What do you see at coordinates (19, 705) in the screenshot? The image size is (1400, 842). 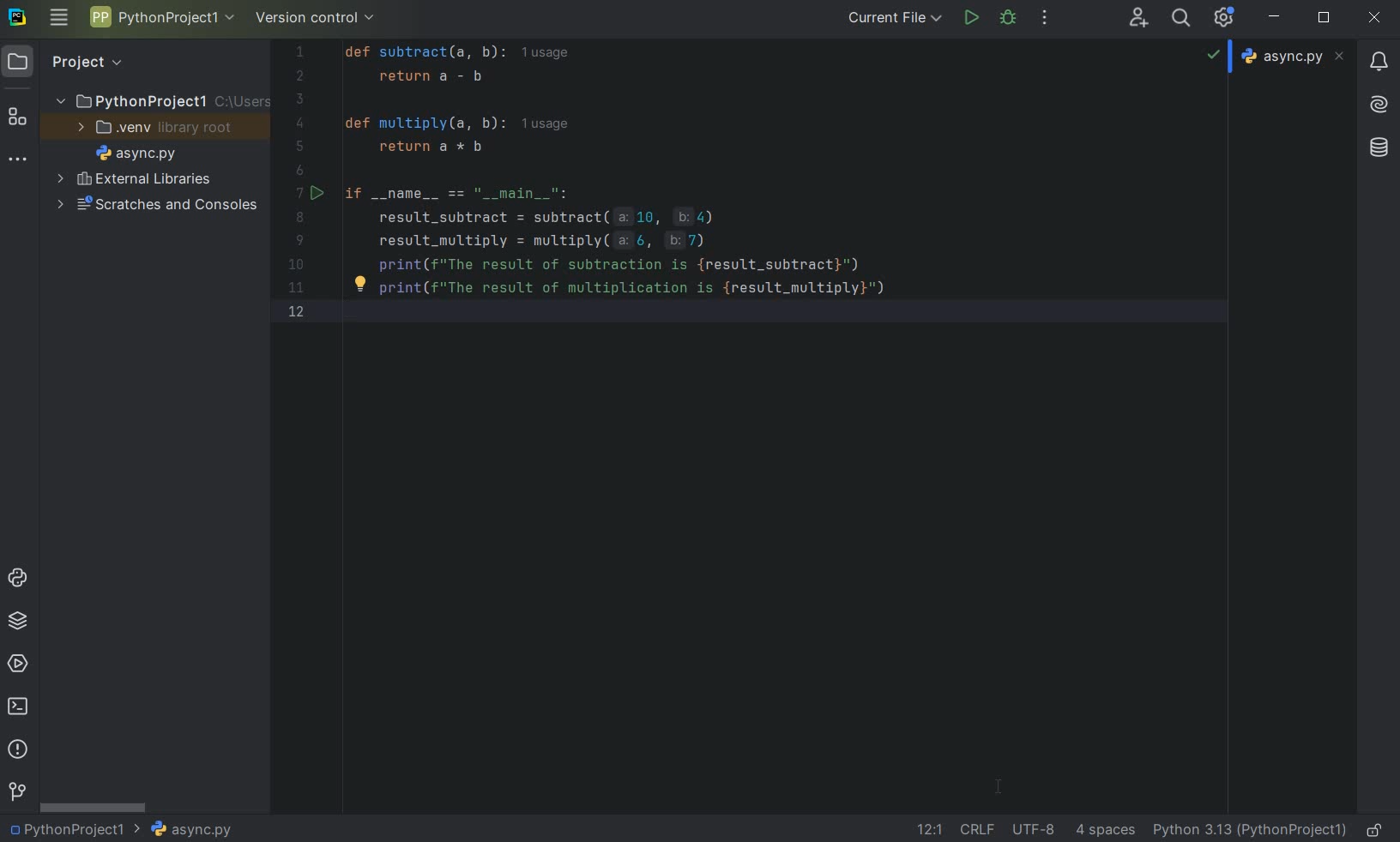 I see `terminal` at bounding box center [19, 705].